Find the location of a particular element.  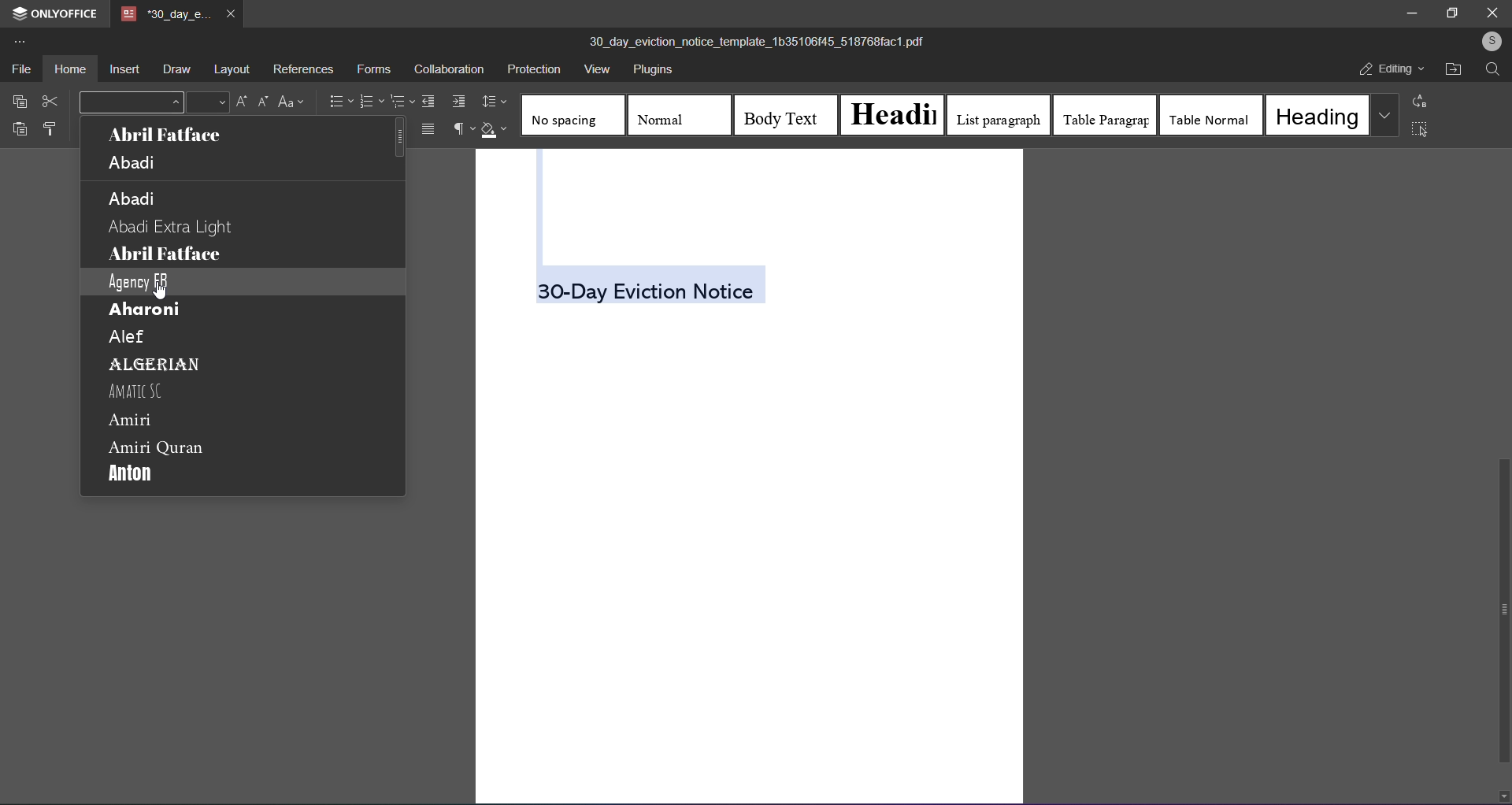

Main menu is located at coordinates (432, 126).